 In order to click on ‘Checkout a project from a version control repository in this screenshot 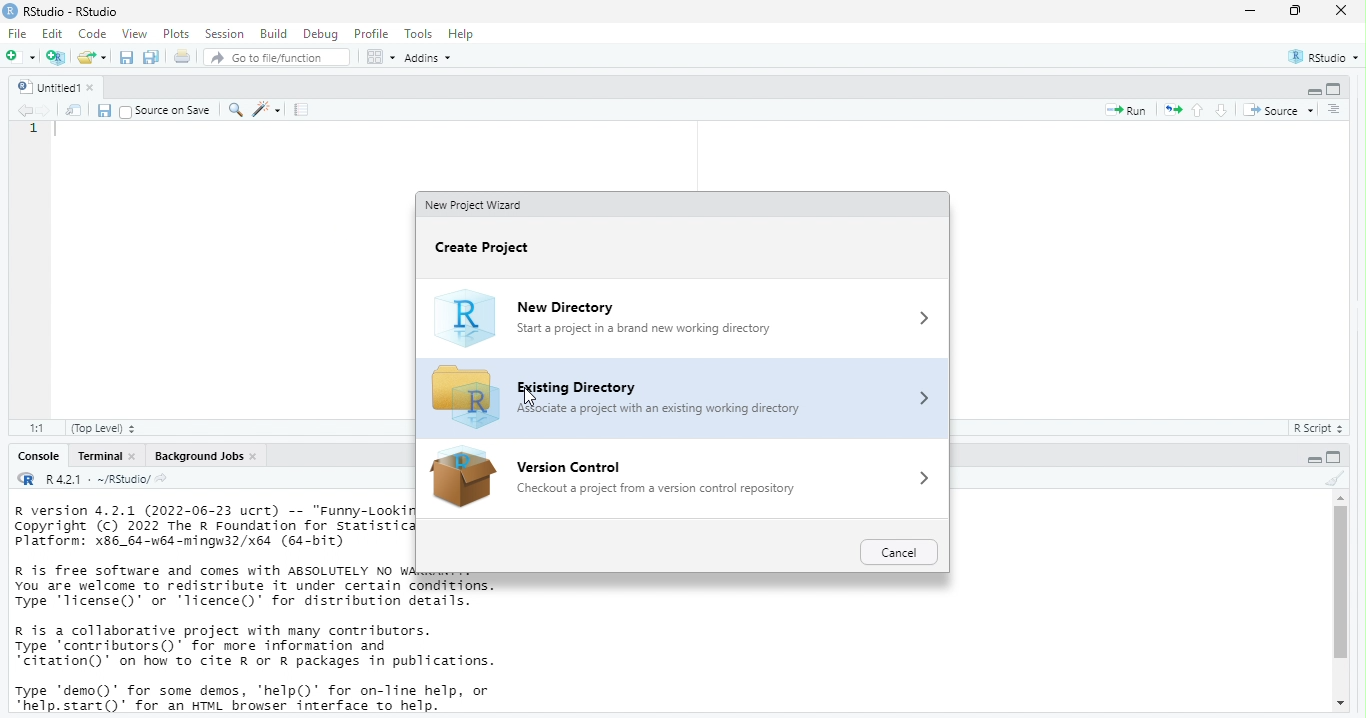, I will do `click(656, 486)`.